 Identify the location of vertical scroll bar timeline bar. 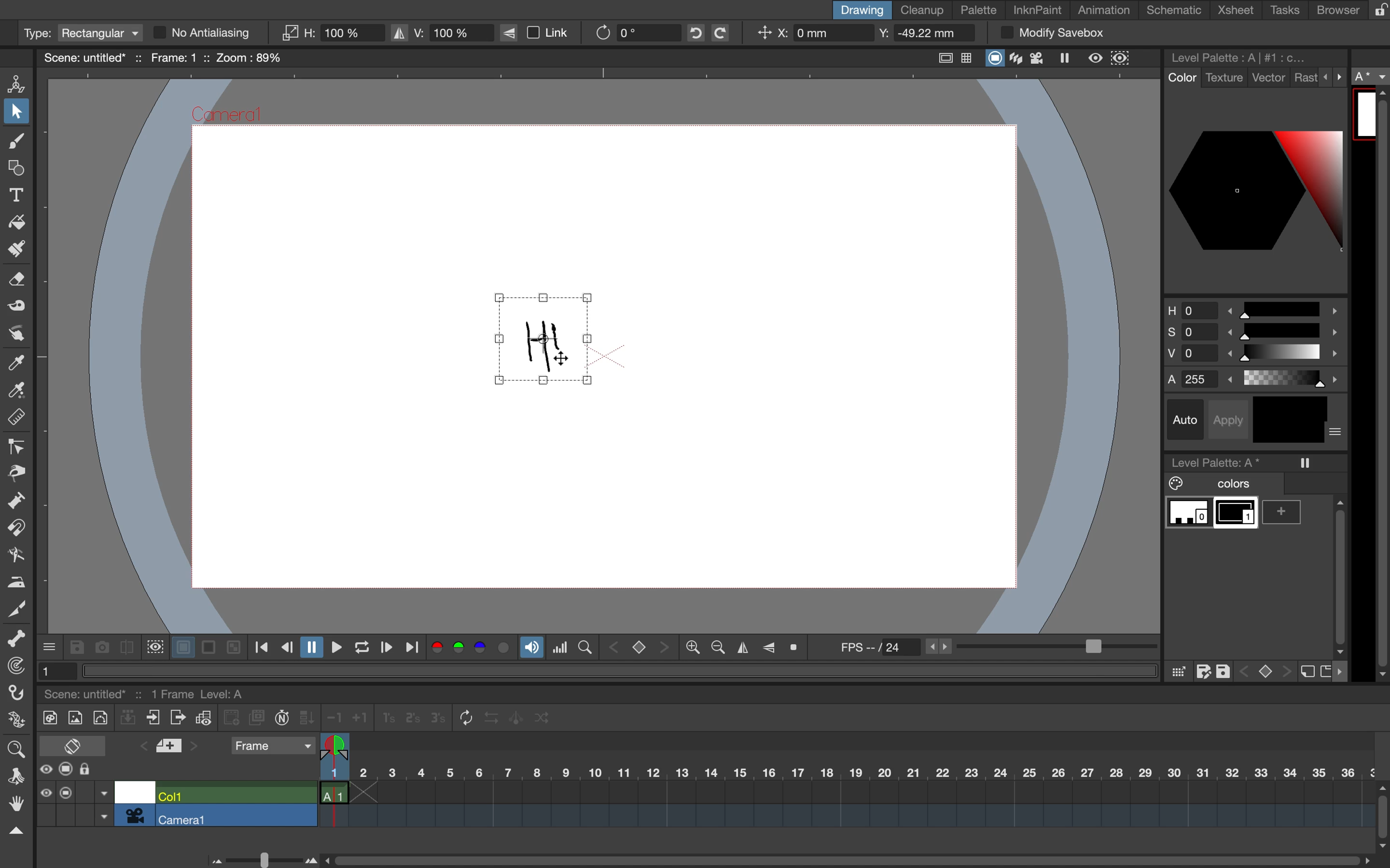
(1381, 815).